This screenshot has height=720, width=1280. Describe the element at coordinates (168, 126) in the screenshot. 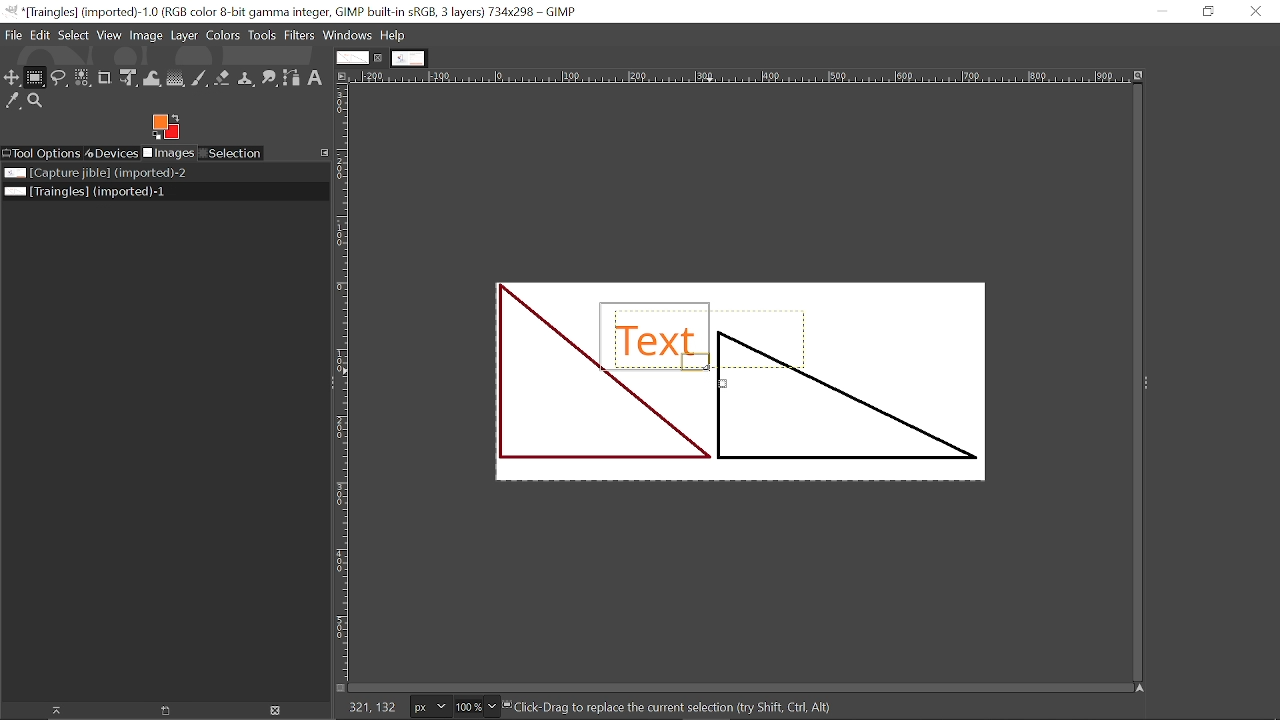

I see `Foreground color` at that location.